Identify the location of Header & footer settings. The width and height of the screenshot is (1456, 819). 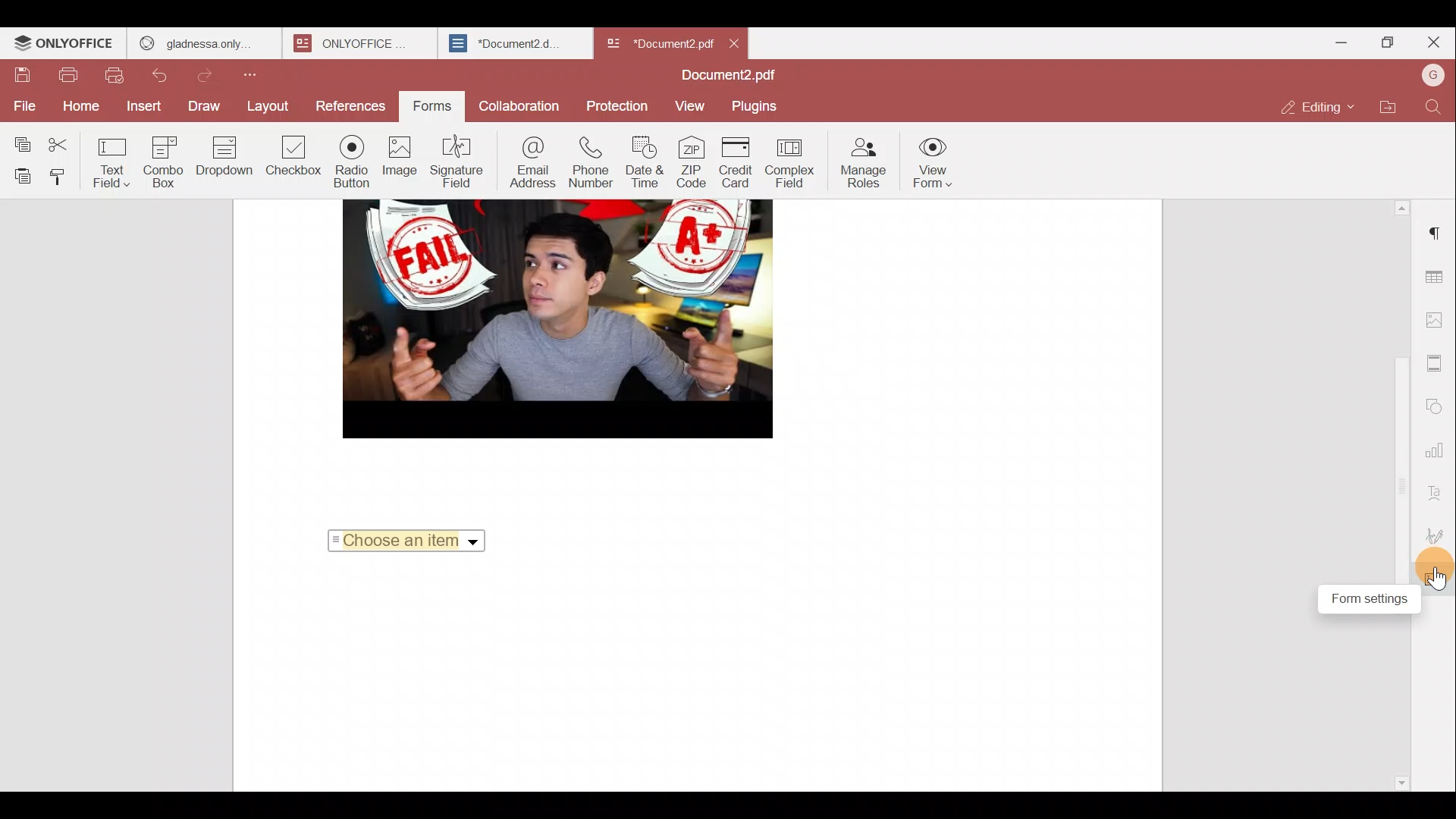
(1436, 364).